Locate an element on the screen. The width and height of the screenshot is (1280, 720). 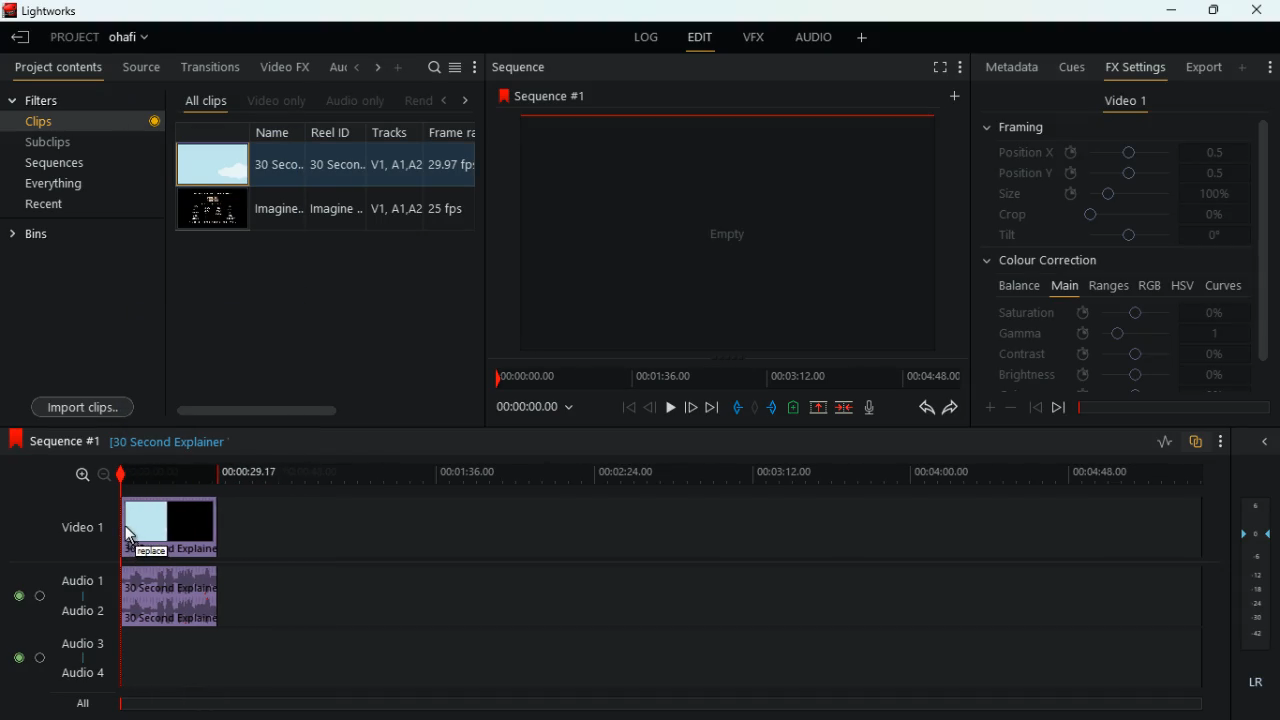
close is located at coordinates (1259, 10).